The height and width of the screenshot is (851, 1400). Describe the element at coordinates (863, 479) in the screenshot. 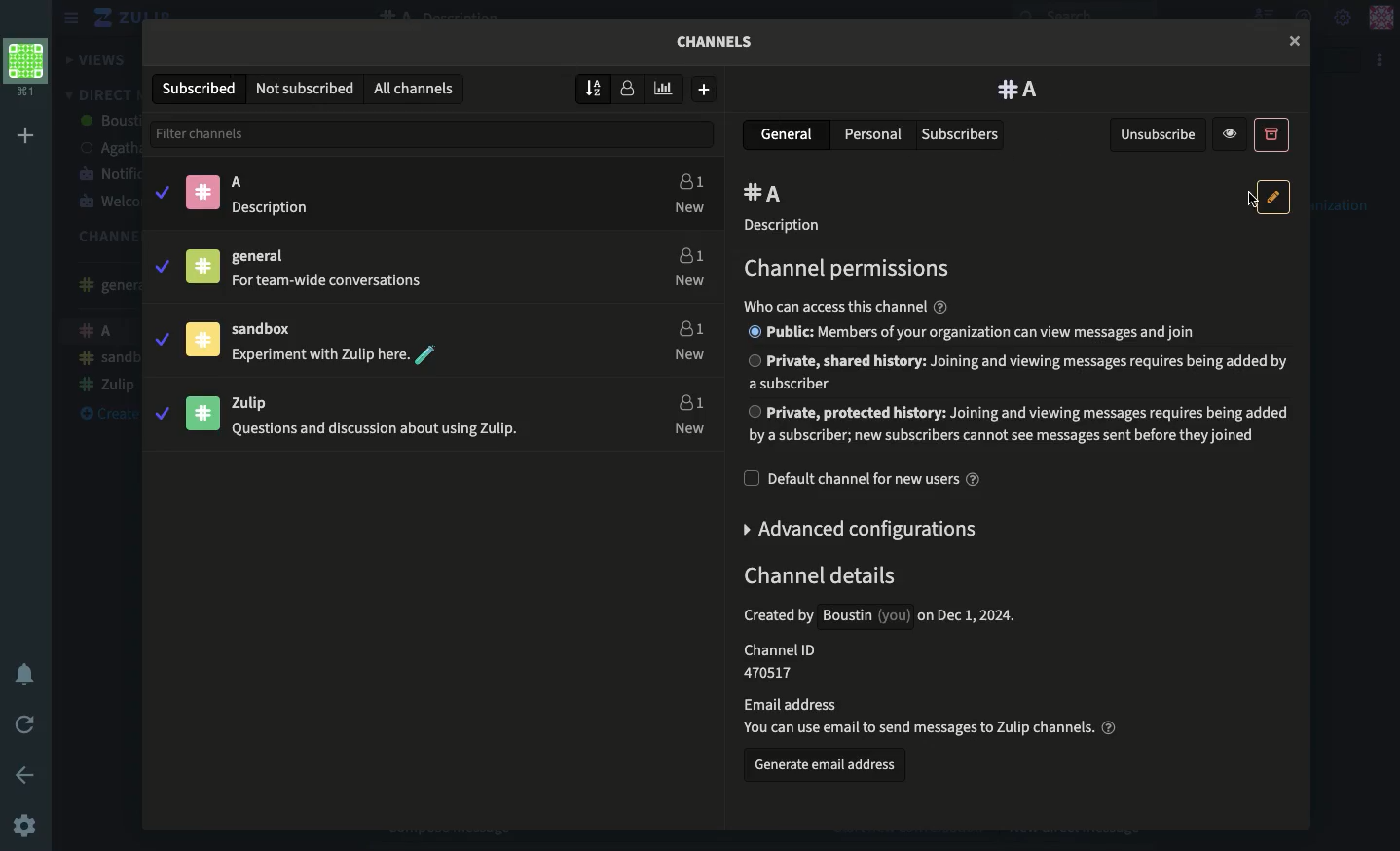

I see `Default channel for new users` at that location.